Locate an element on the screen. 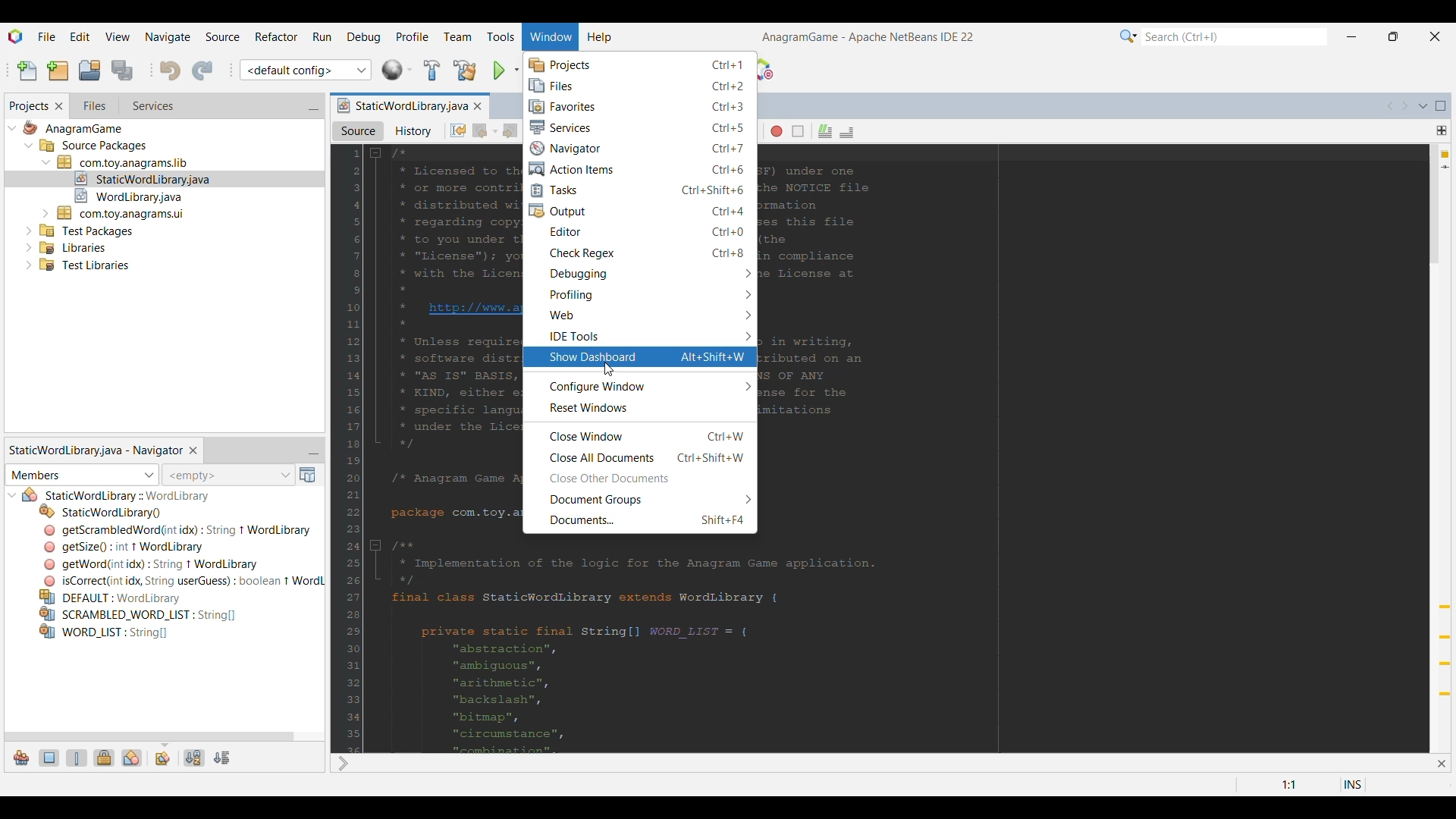  Document group options is located at coordinates (639, 500).